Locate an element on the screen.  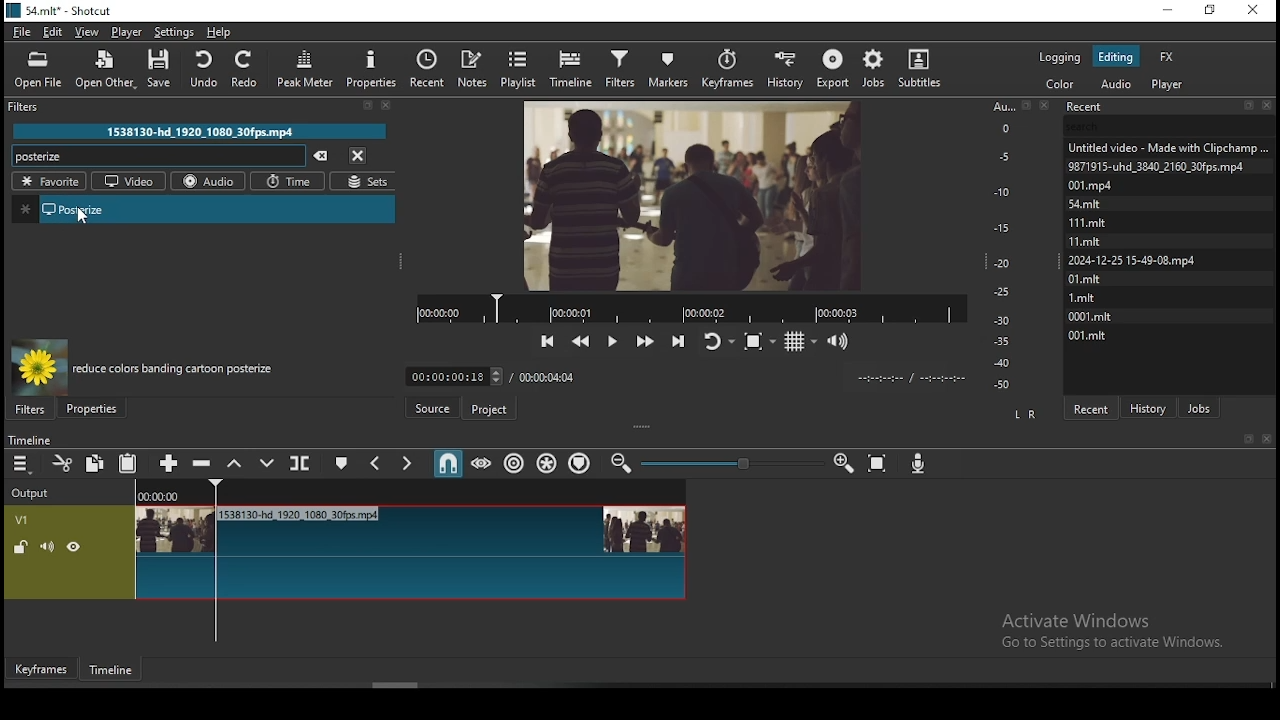
properties is located at coordinates (375, 67).